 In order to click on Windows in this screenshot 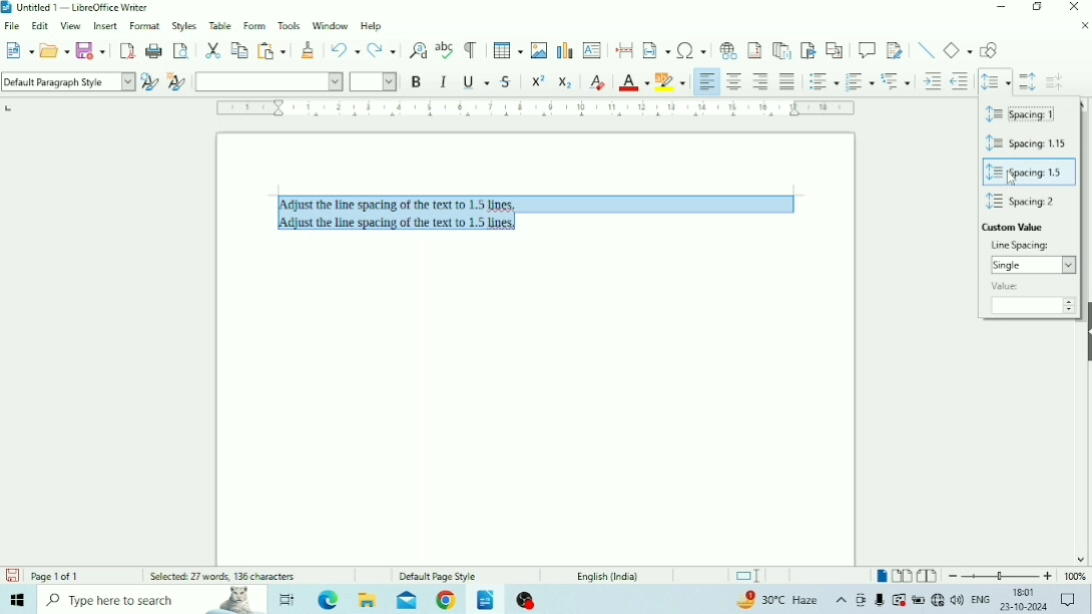, I will do `click(17, 600)`.